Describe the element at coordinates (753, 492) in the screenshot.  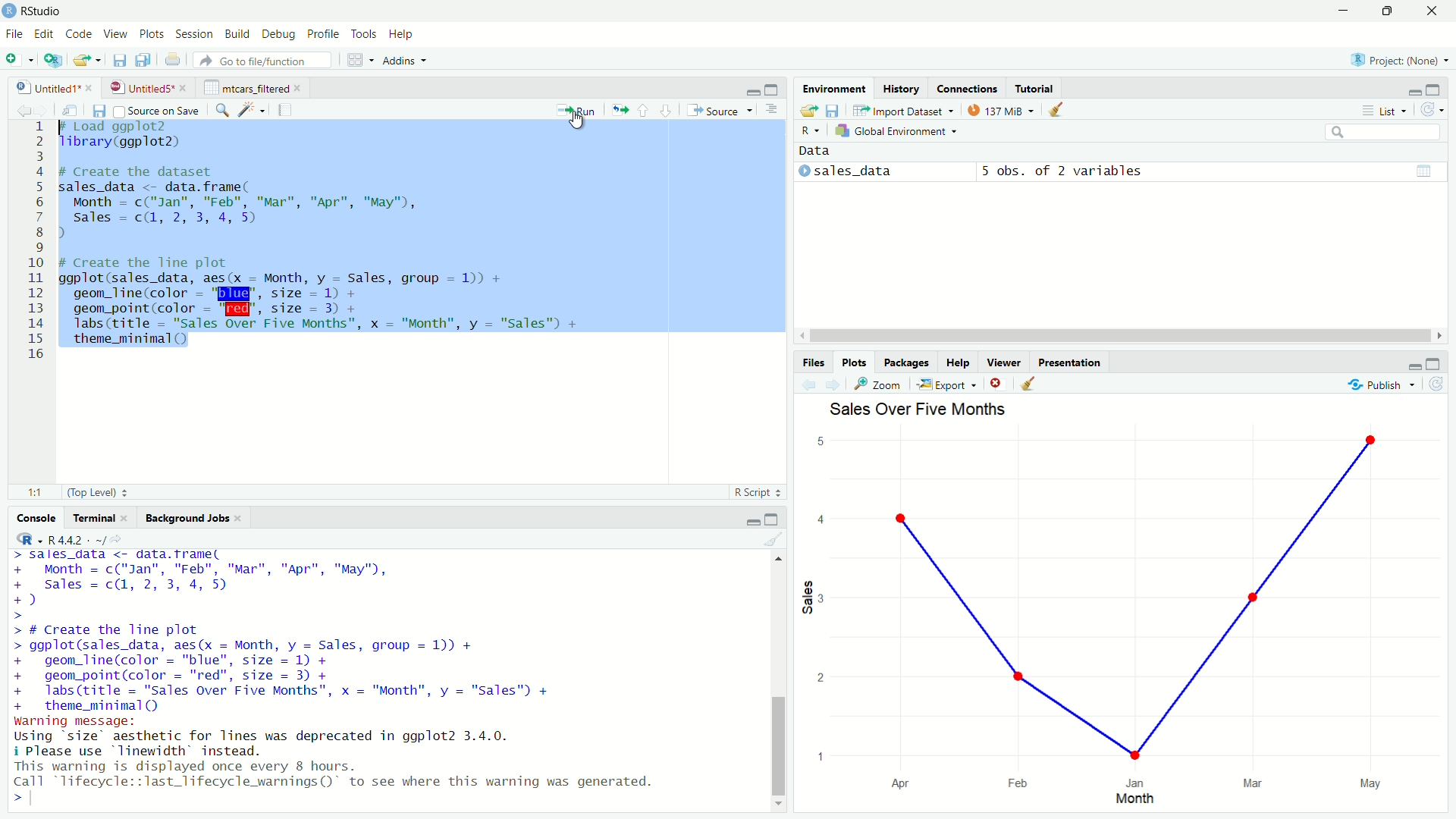
I see `R Script` at that location.